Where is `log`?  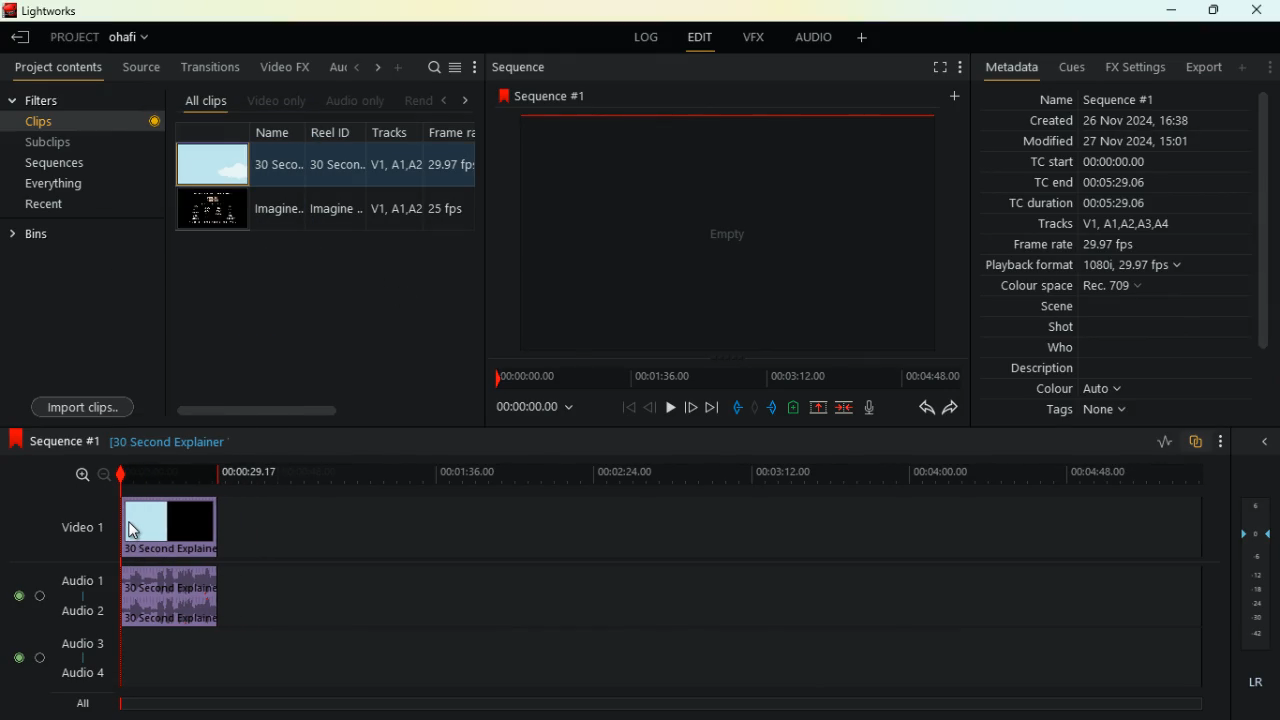
log is located at coordinates (641, 38).